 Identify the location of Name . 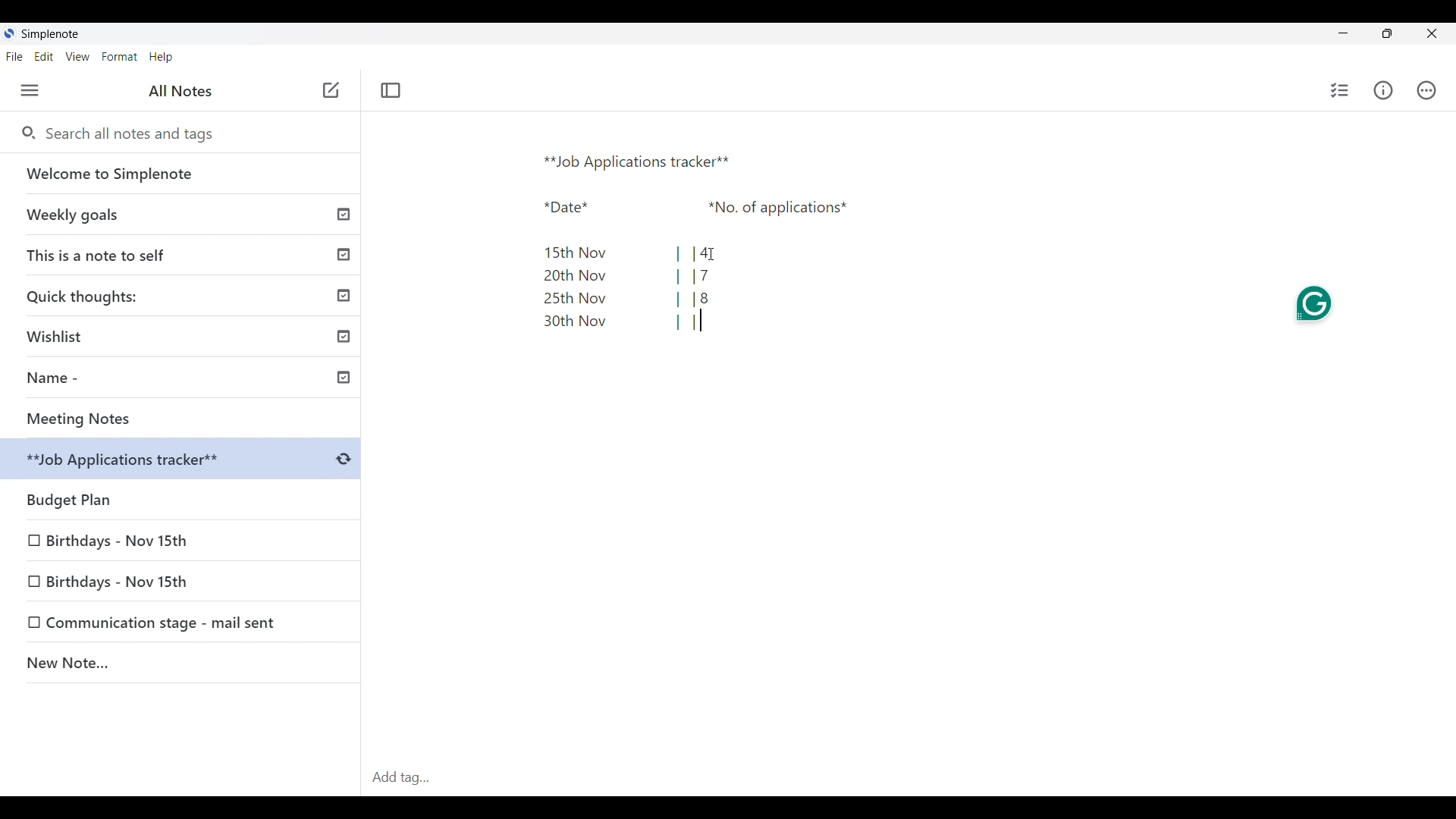
(187, 380).